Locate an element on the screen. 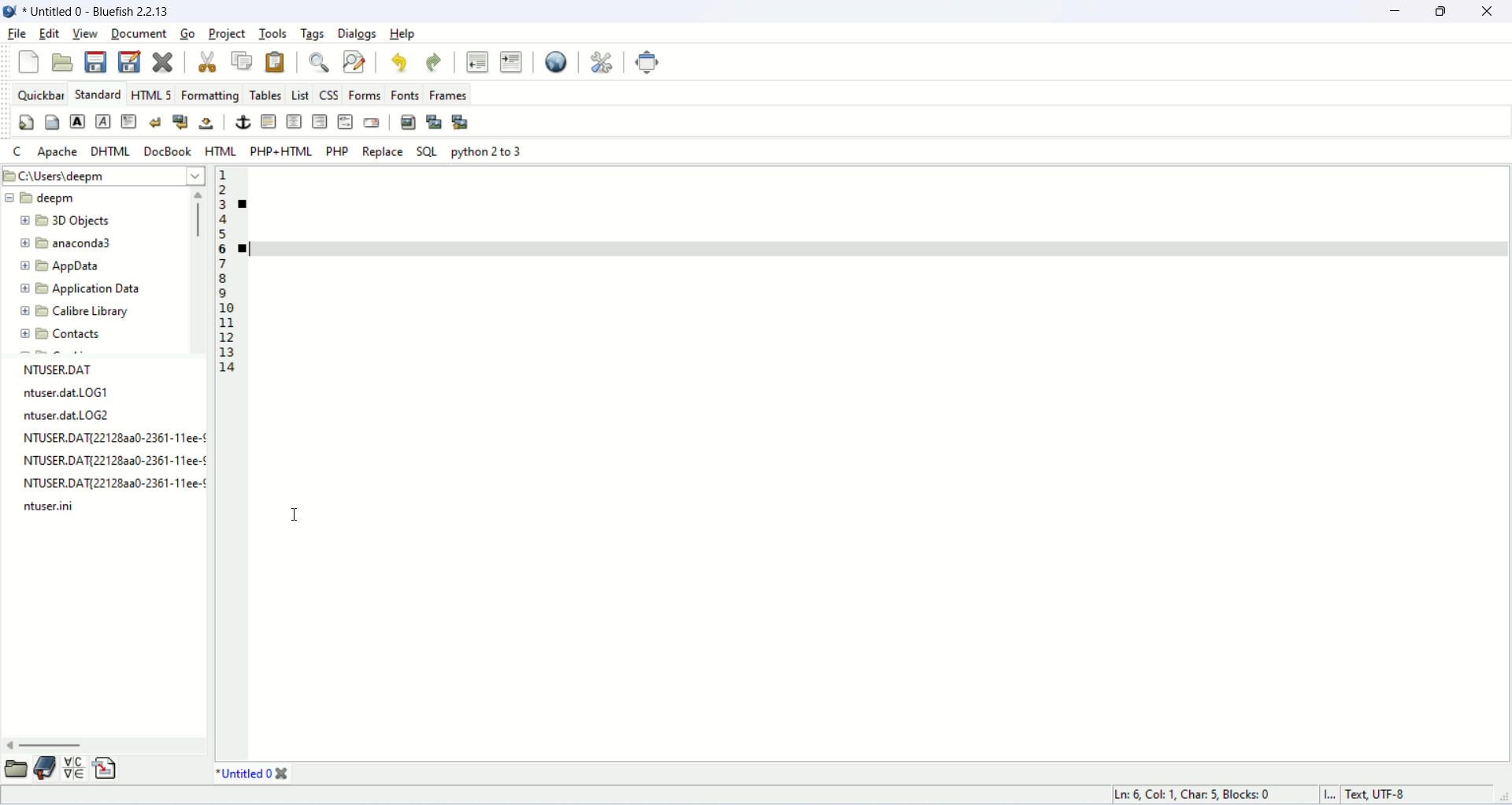  tables is located at coordinates (265, 95).